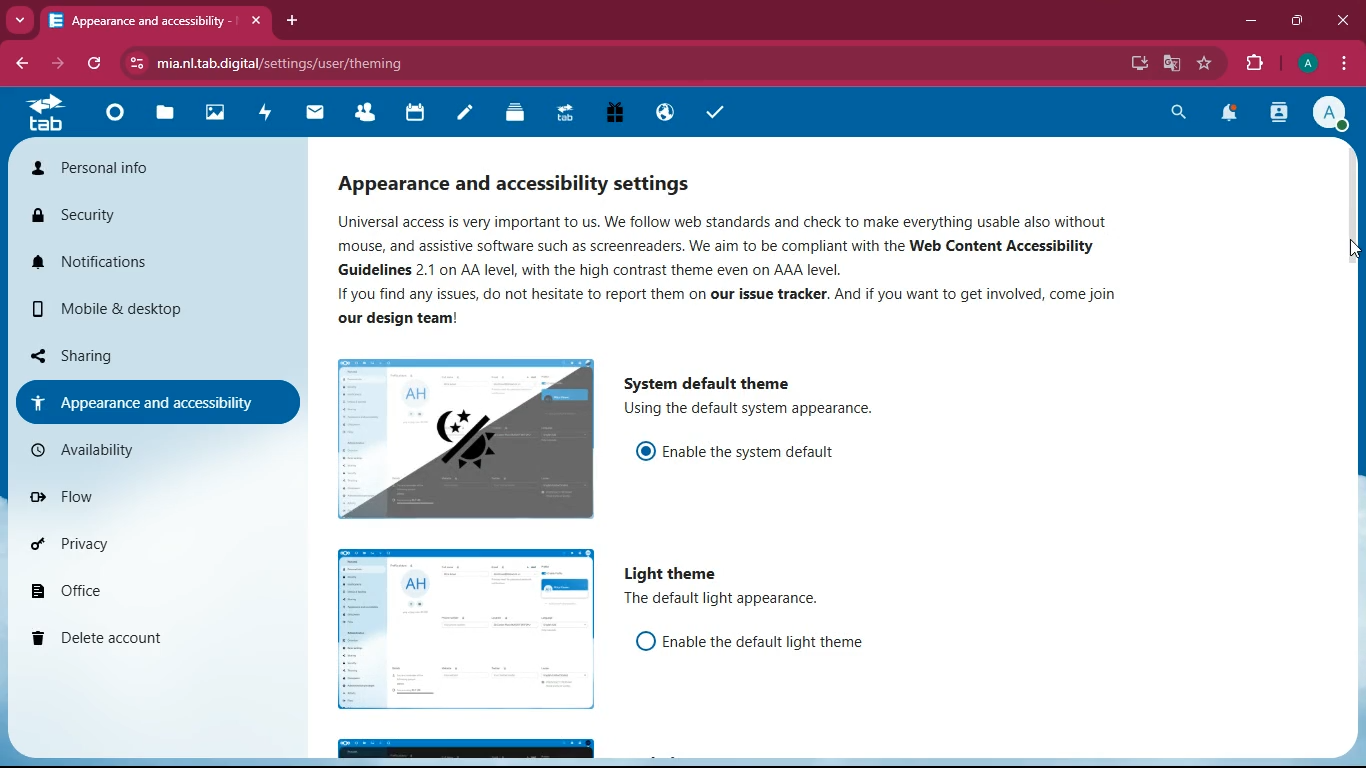  What do you see at coordinates (645, 645) in the screenshot?
I see `off` at bounding box center [645, 645].